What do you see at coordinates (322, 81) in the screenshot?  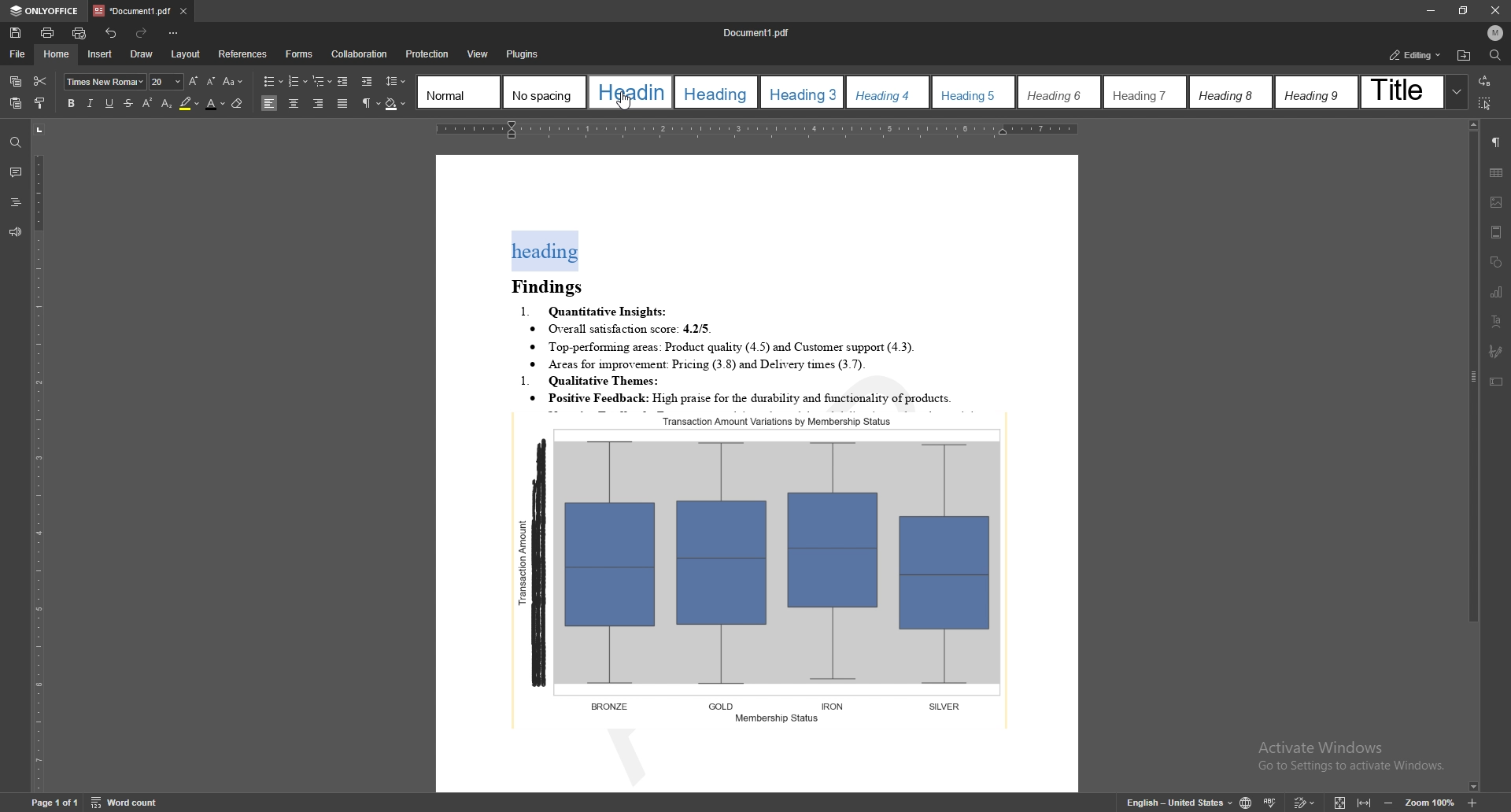 I see `multilevel list` at bounding box center [322, 81].